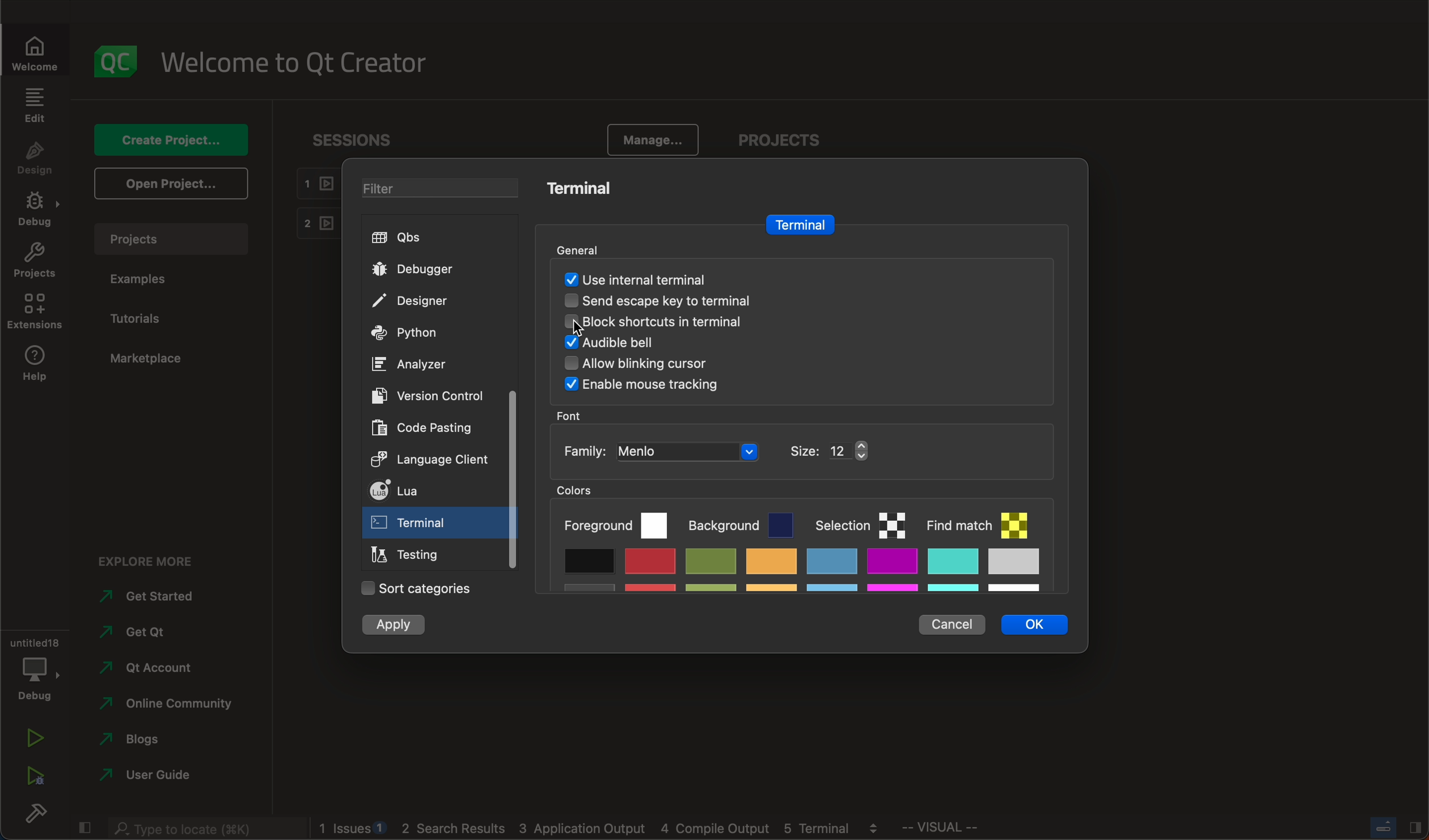 This screenshot has width=1429, height=840. Describe the element at coordinates (637, 279) in the screenshot. I see `auto detected` at that location.